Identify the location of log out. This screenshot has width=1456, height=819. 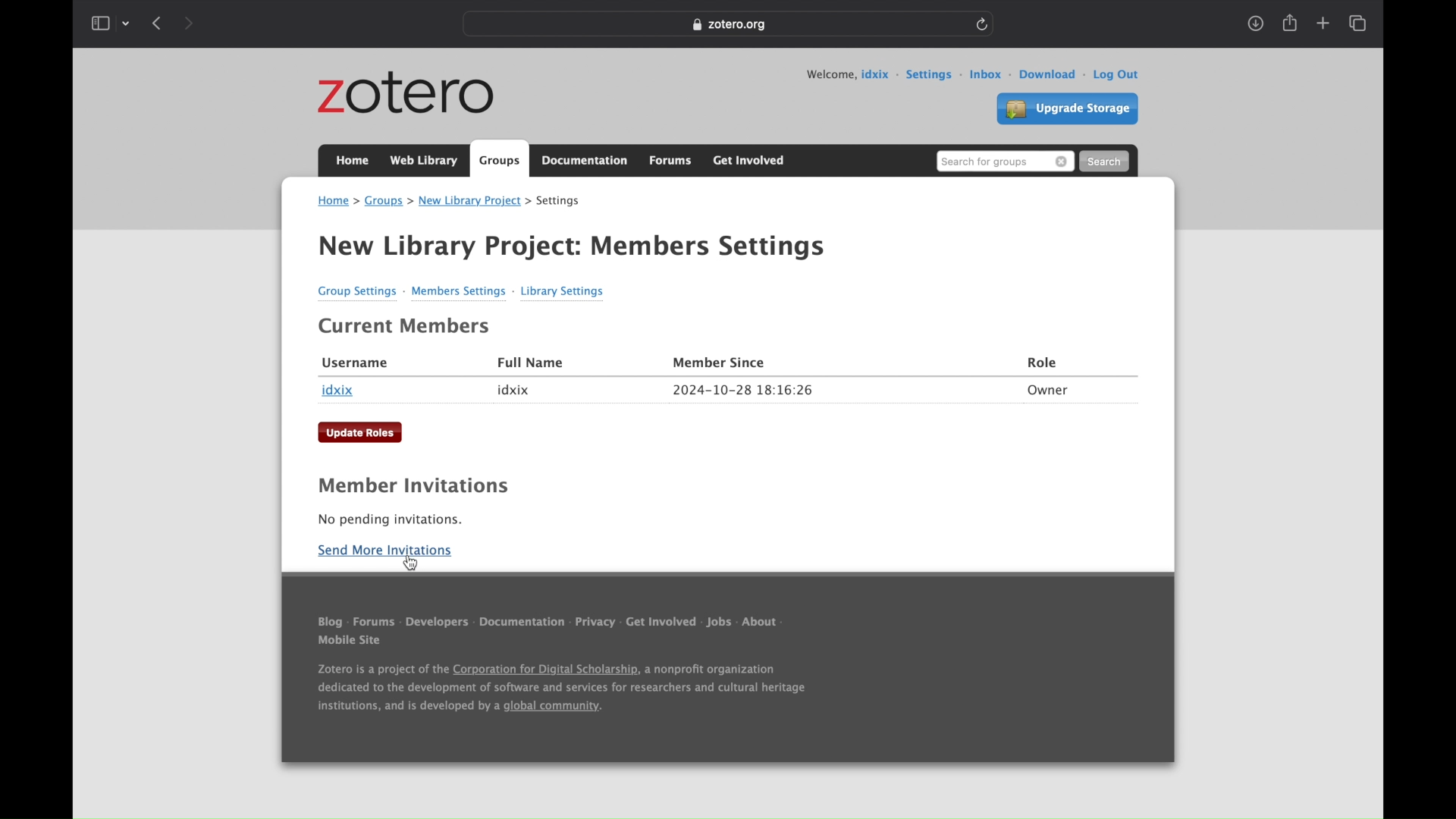
(1116, 73).